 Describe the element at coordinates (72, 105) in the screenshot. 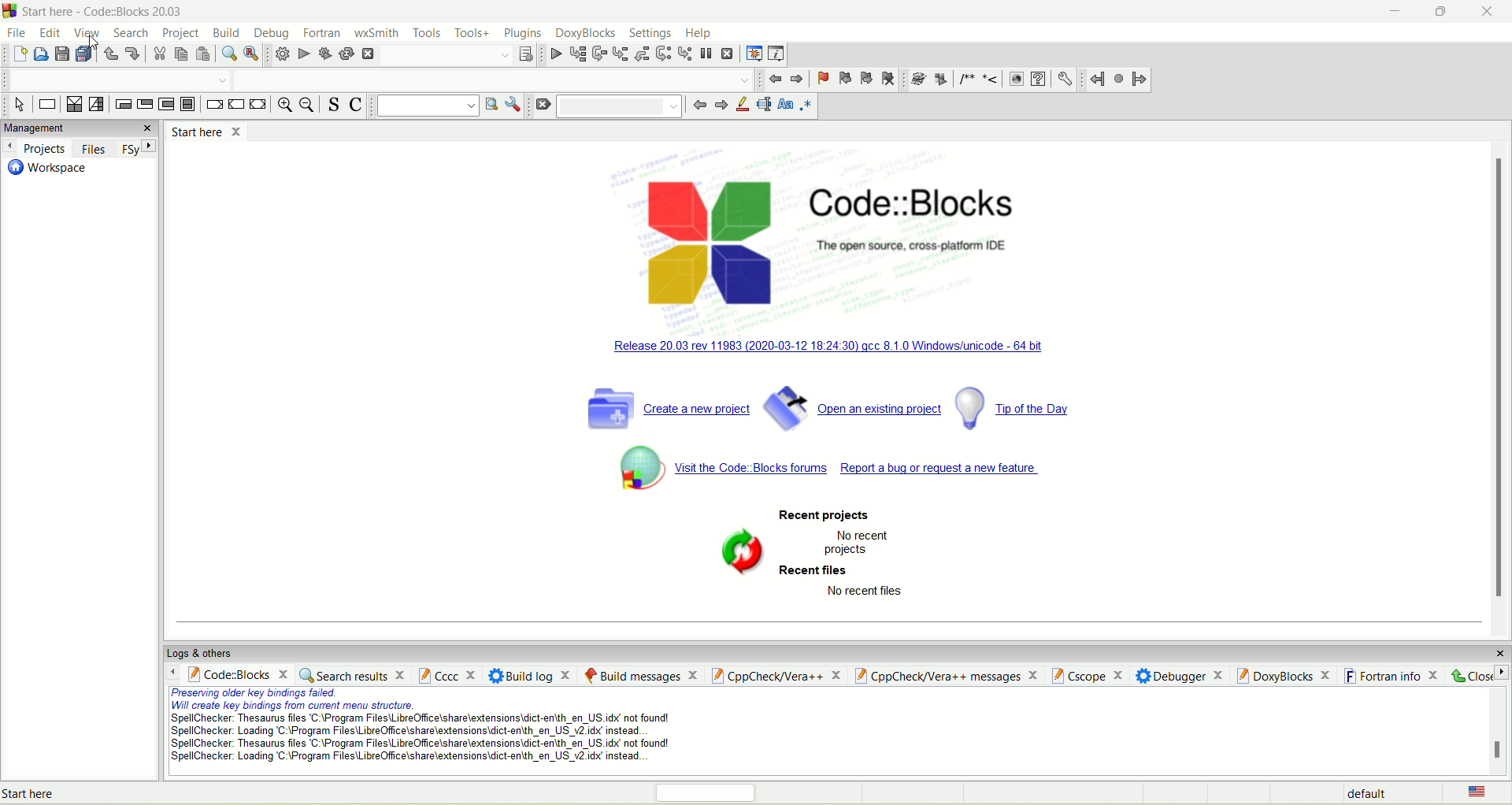

I see `decision` at that location.